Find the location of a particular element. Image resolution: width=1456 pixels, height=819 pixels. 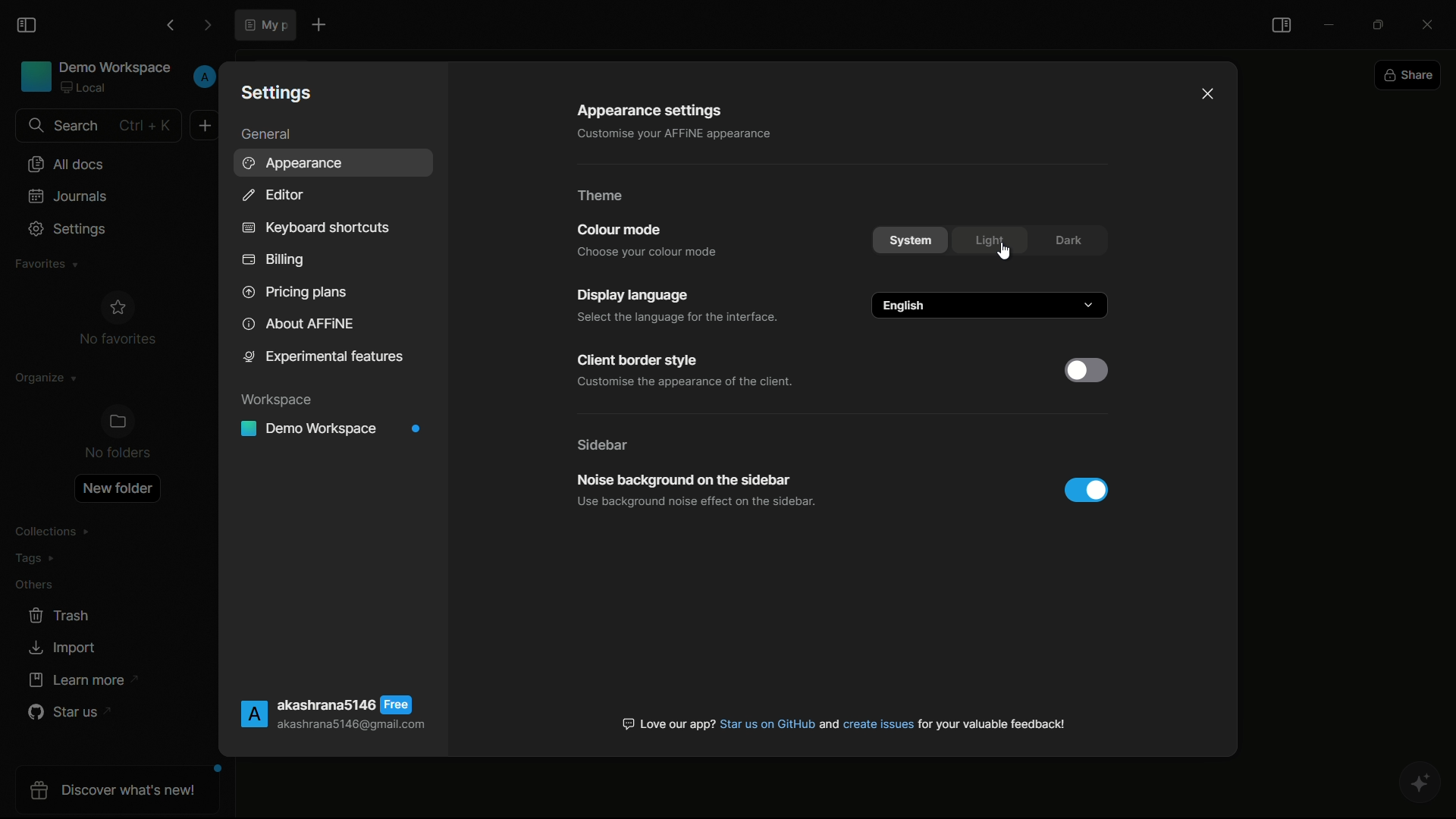

new folder is located at coordinates (118, 488).